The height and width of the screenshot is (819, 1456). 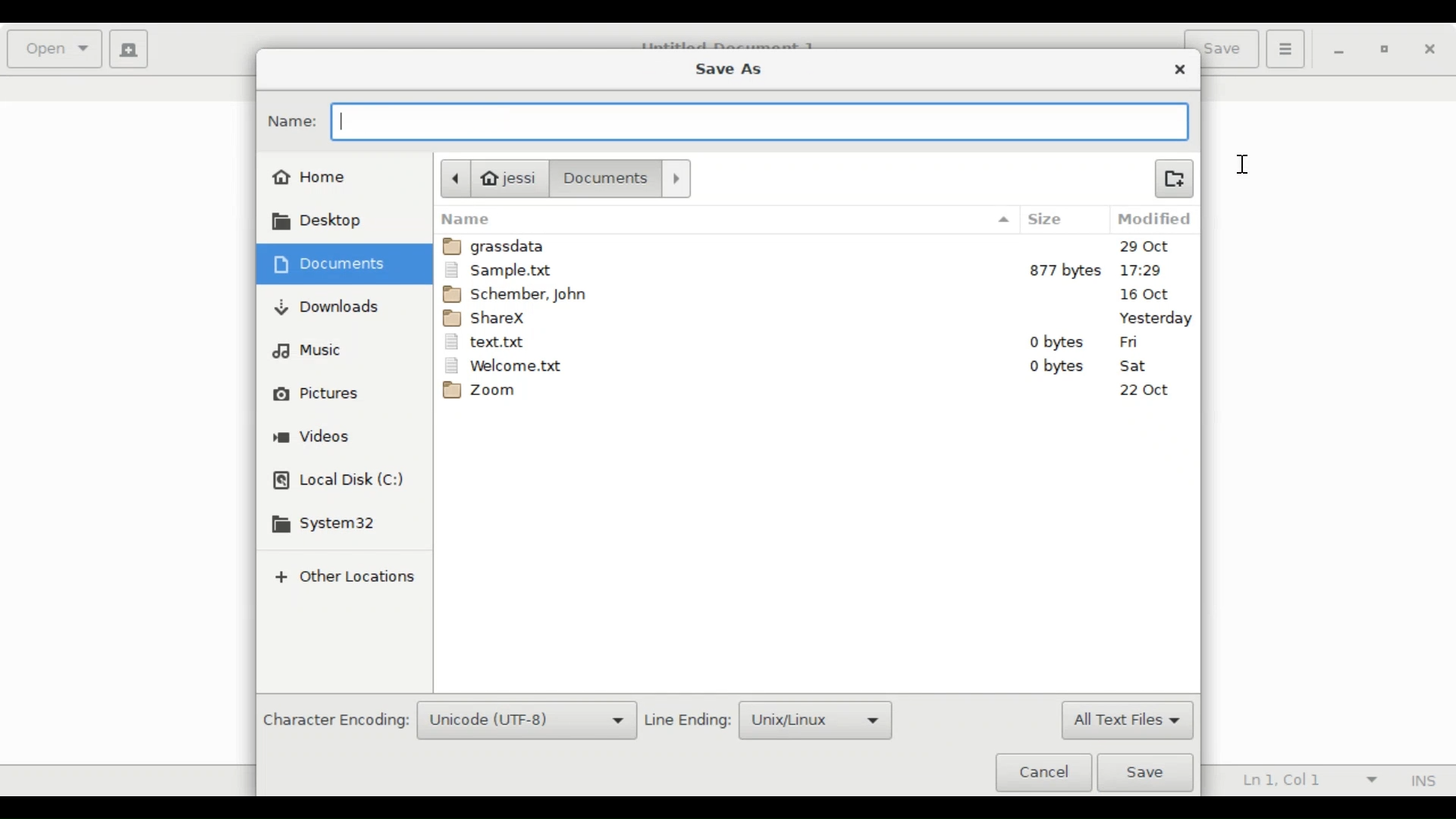 What do you see at coordinates (492, 177) in the screenshot?
I see `jessi` at bounding box center [492, 177].